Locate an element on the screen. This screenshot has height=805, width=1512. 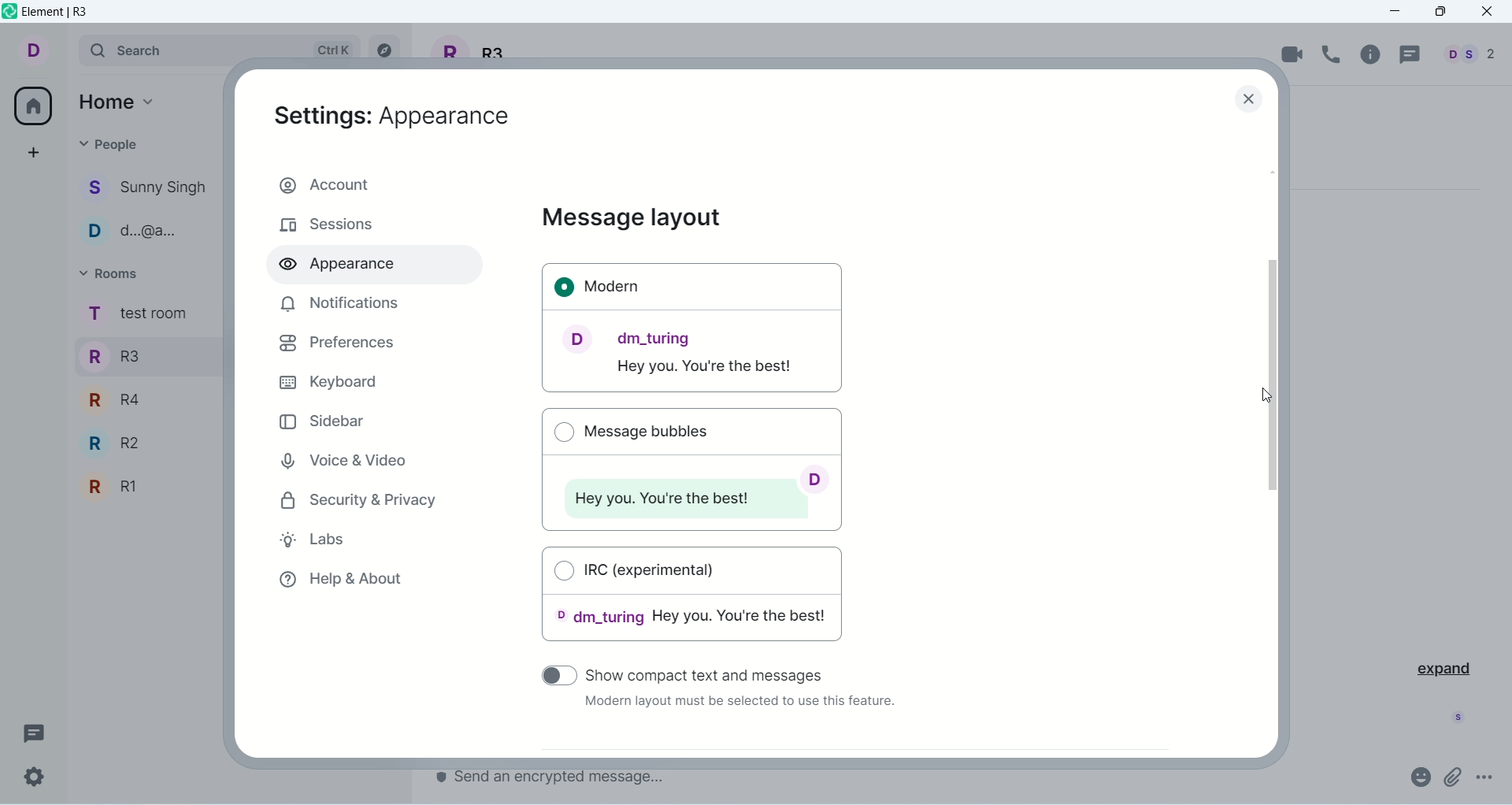
message layout is located at coordinates (632, 218).